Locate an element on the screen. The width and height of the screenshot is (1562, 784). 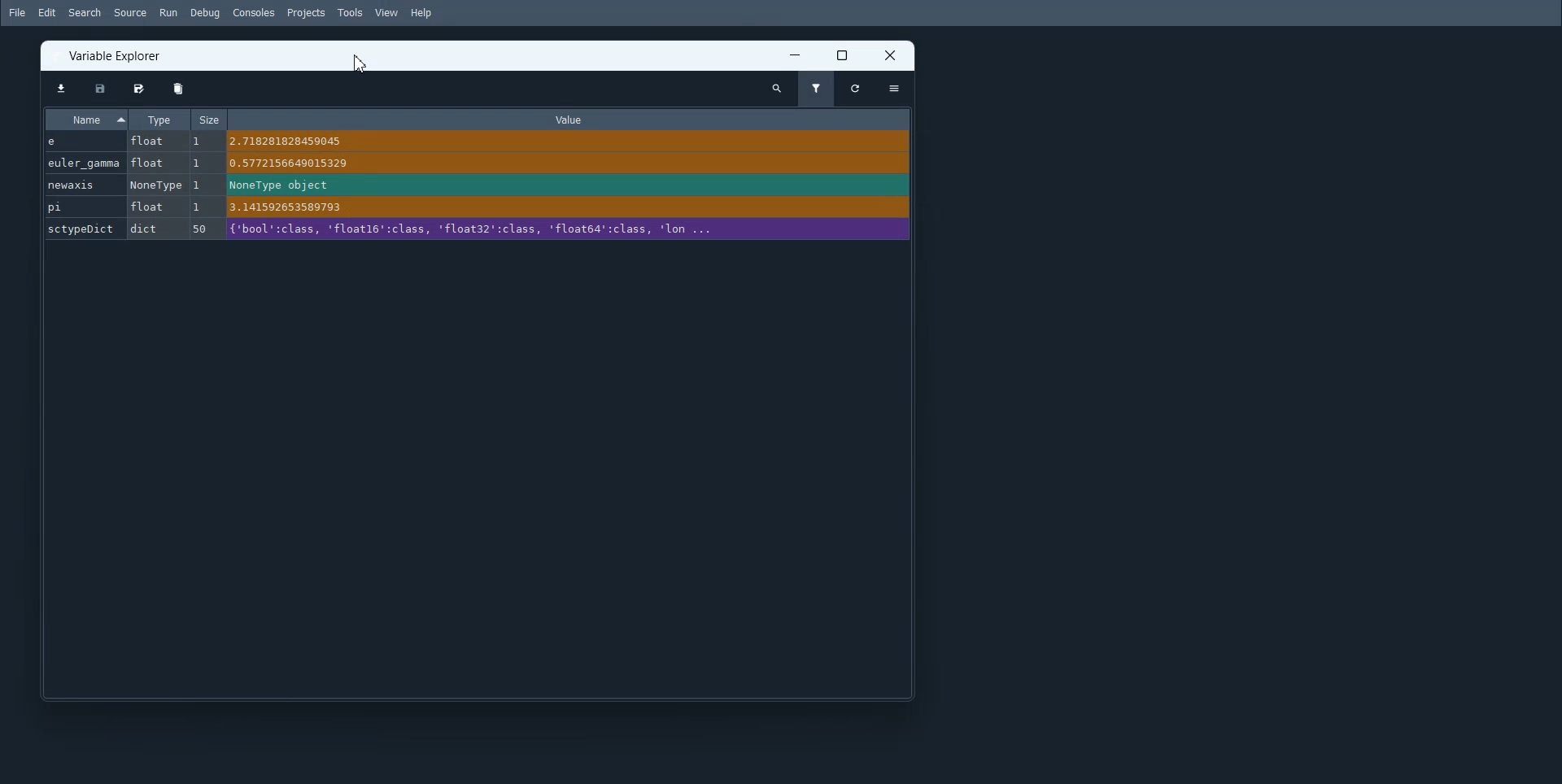
NoneType object is located at coordinates (277, 185).